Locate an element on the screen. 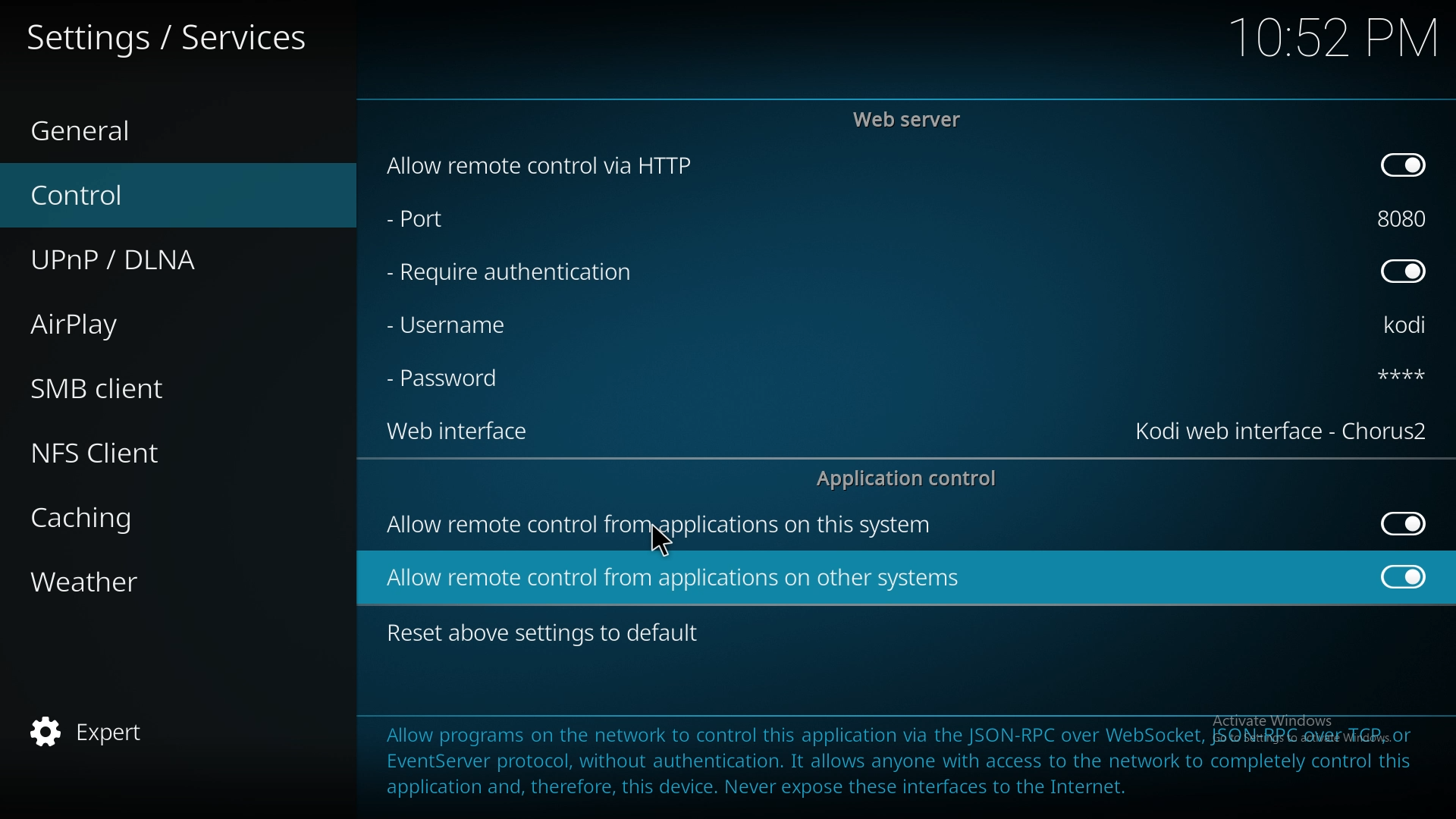  allow remote control from apps on this system is located at coordinates (661, 528).